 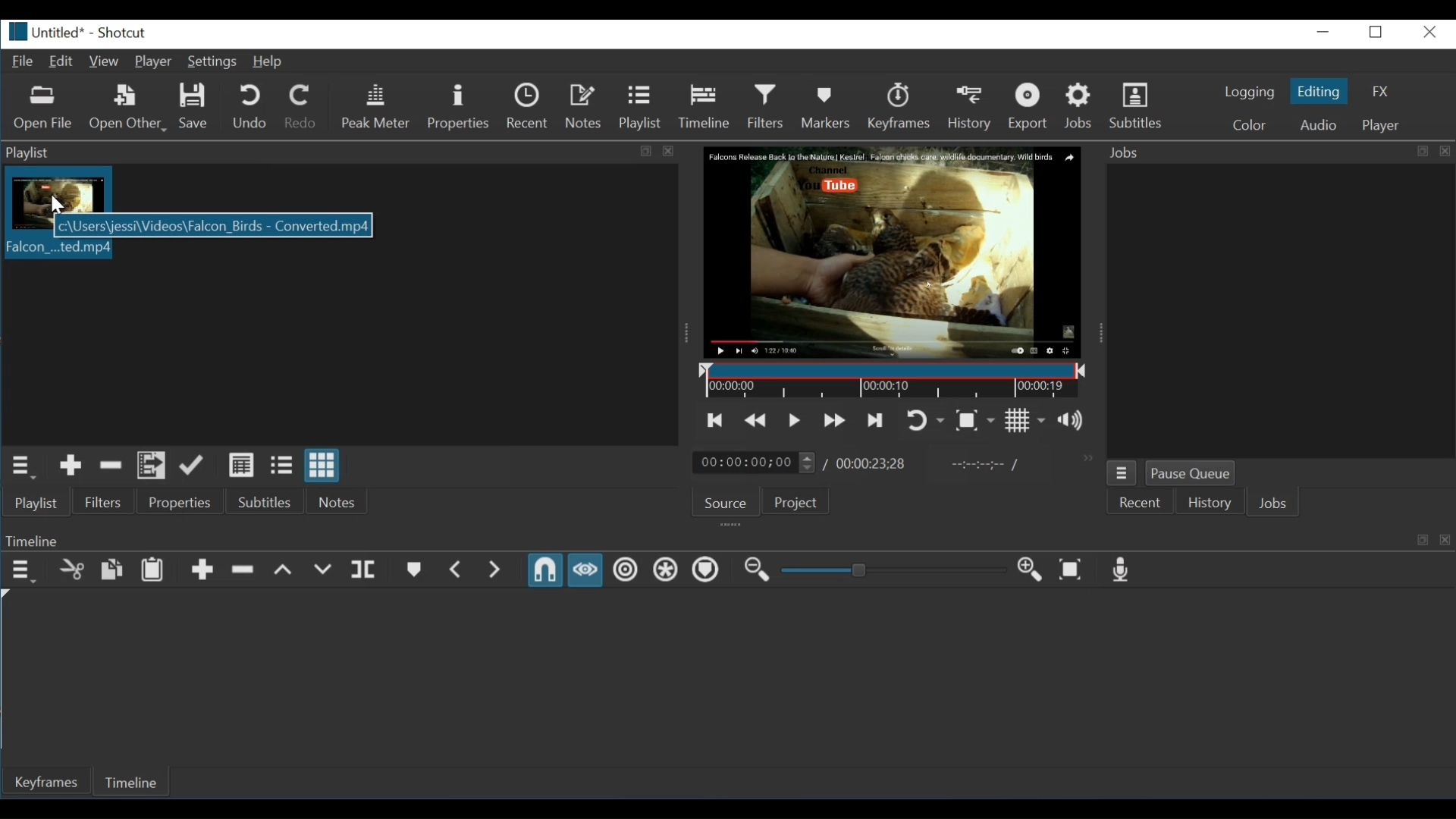 I want to click on Clip thumbnail, so click(x=61, y=190).